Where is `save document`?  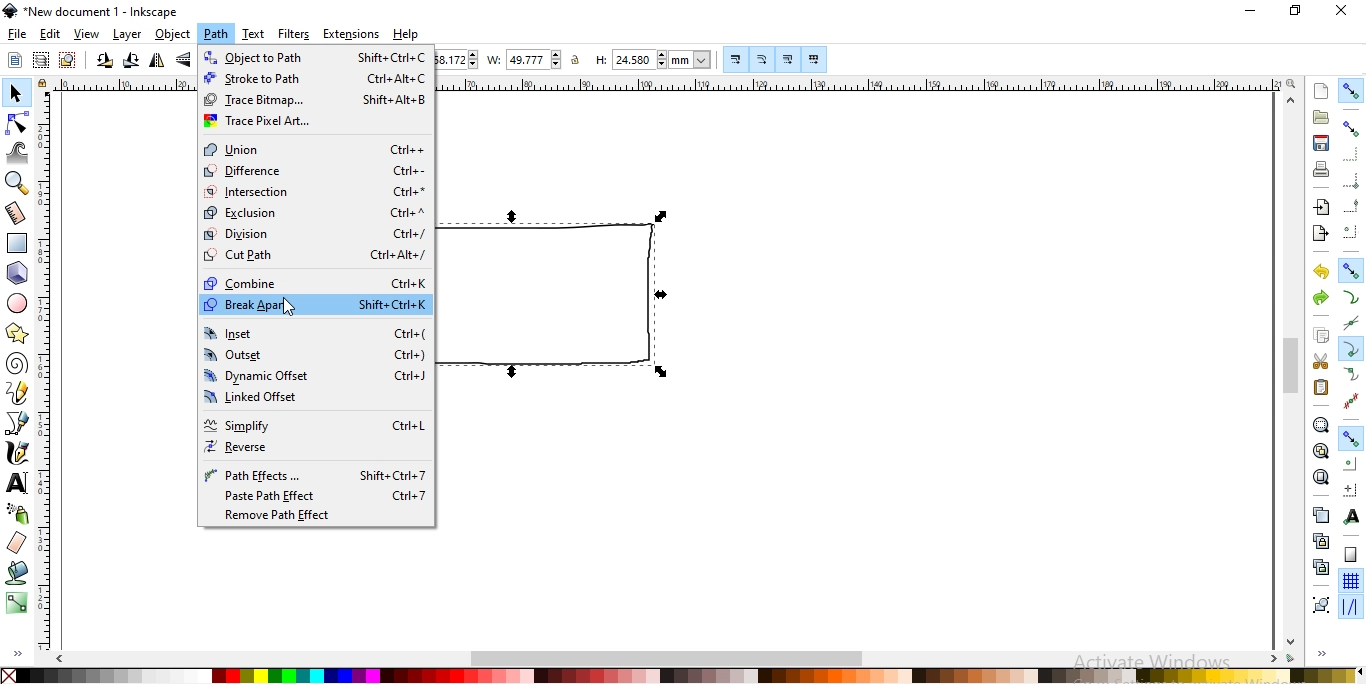
save document is located at coordinates (1320, 144).